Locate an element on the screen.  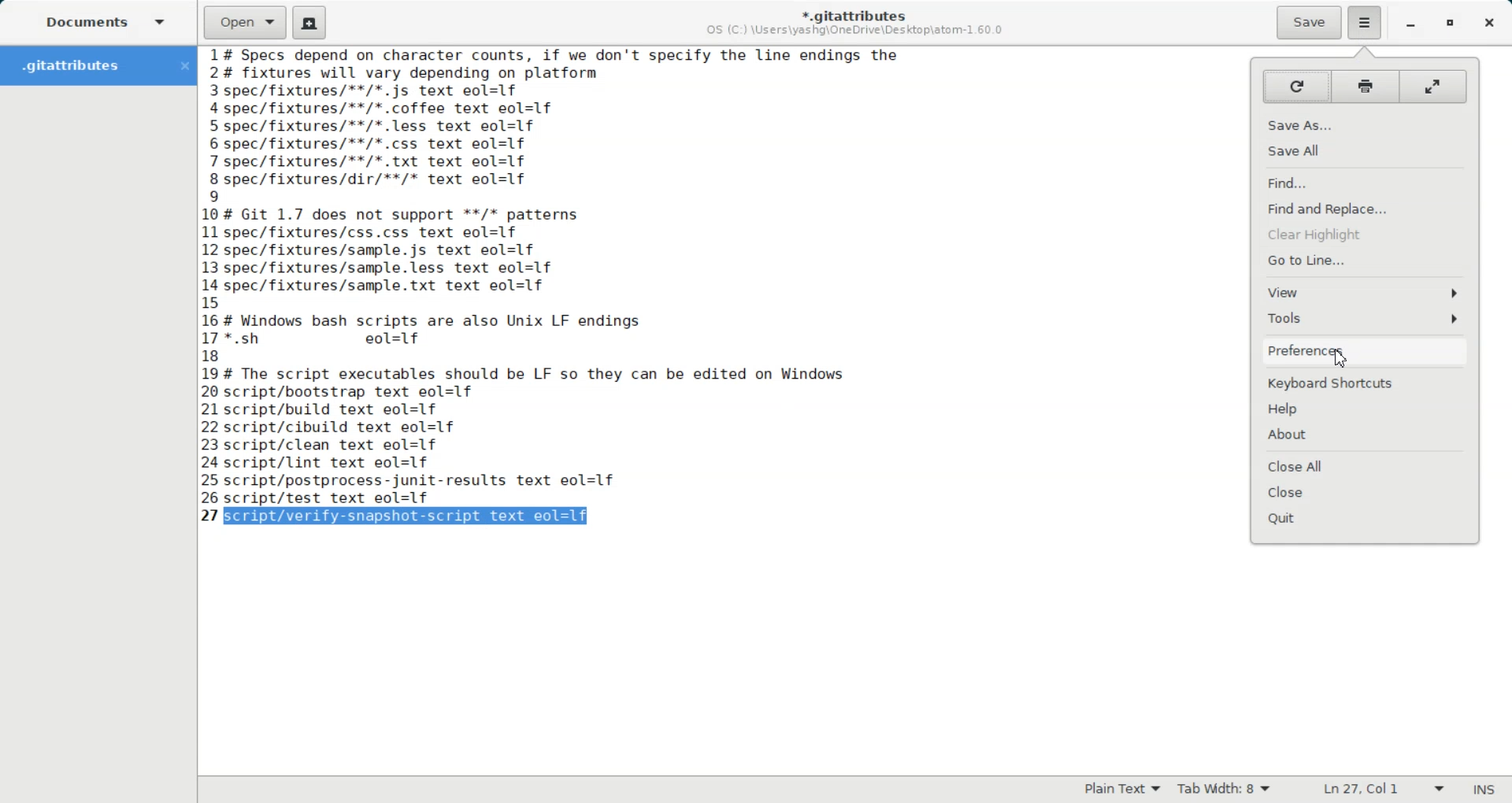
Save As is located at coordinates (1366, 125).